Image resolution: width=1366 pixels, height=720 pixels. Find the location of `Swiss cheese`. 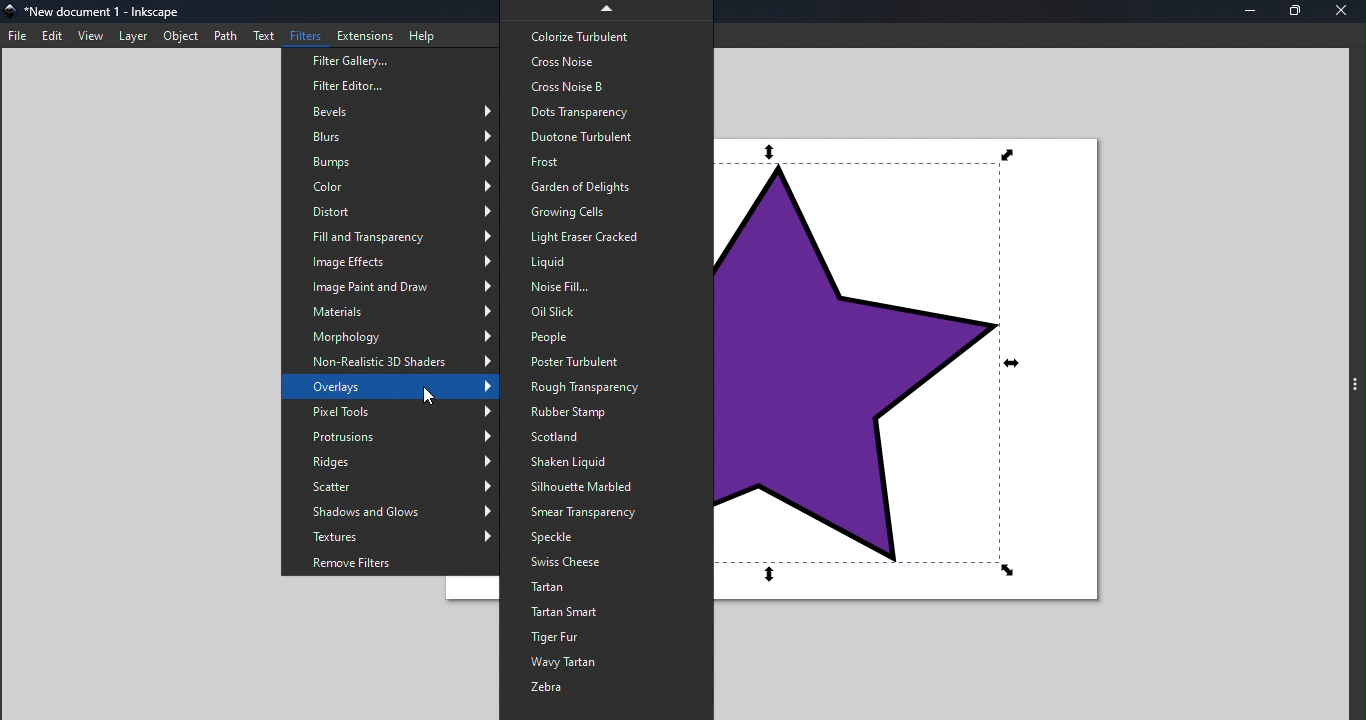

Swiss cheese is located at coordinates (607, 563).